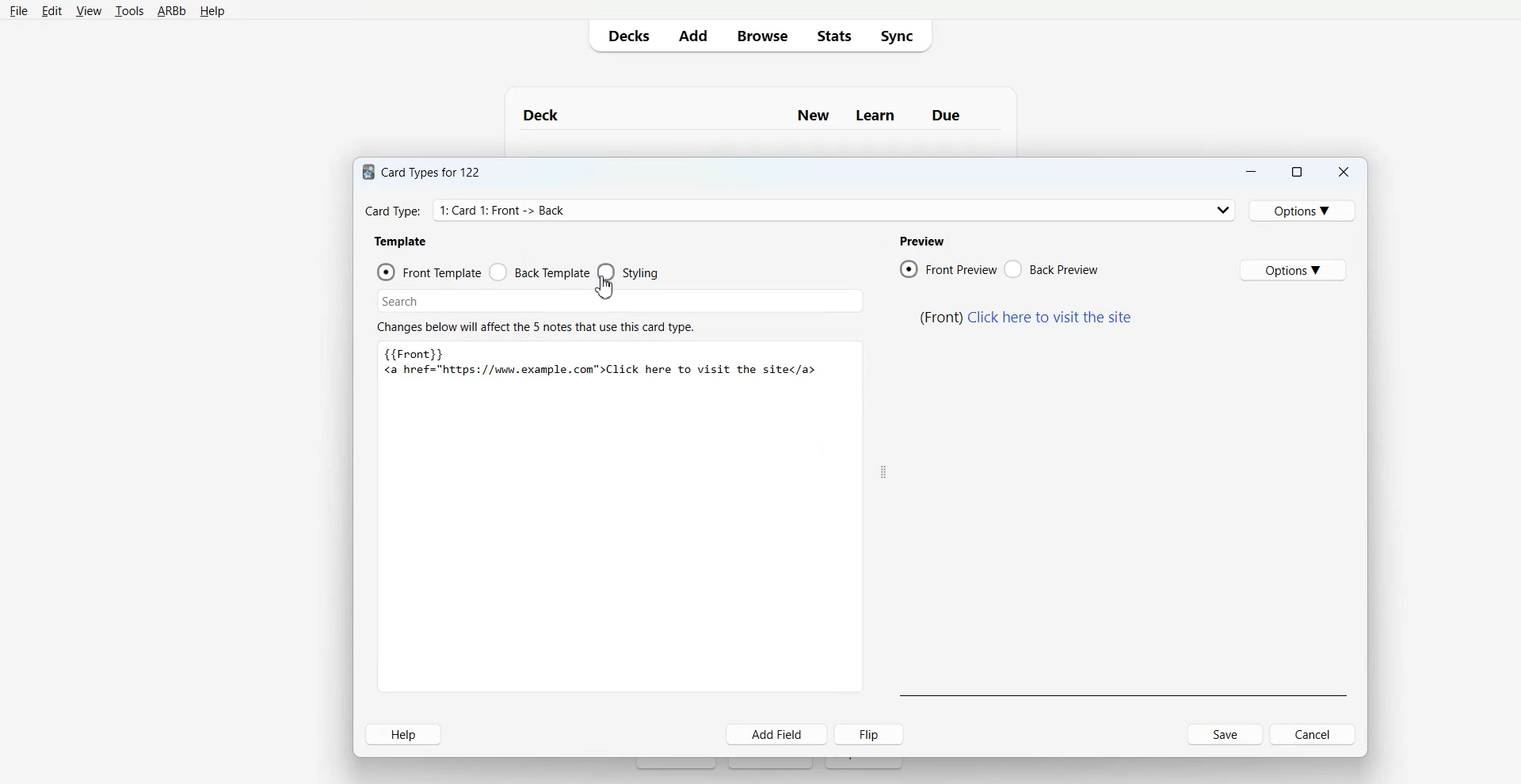 This screenshot has height=784, width=1521. I want to click on Close, so click(1344, 170).